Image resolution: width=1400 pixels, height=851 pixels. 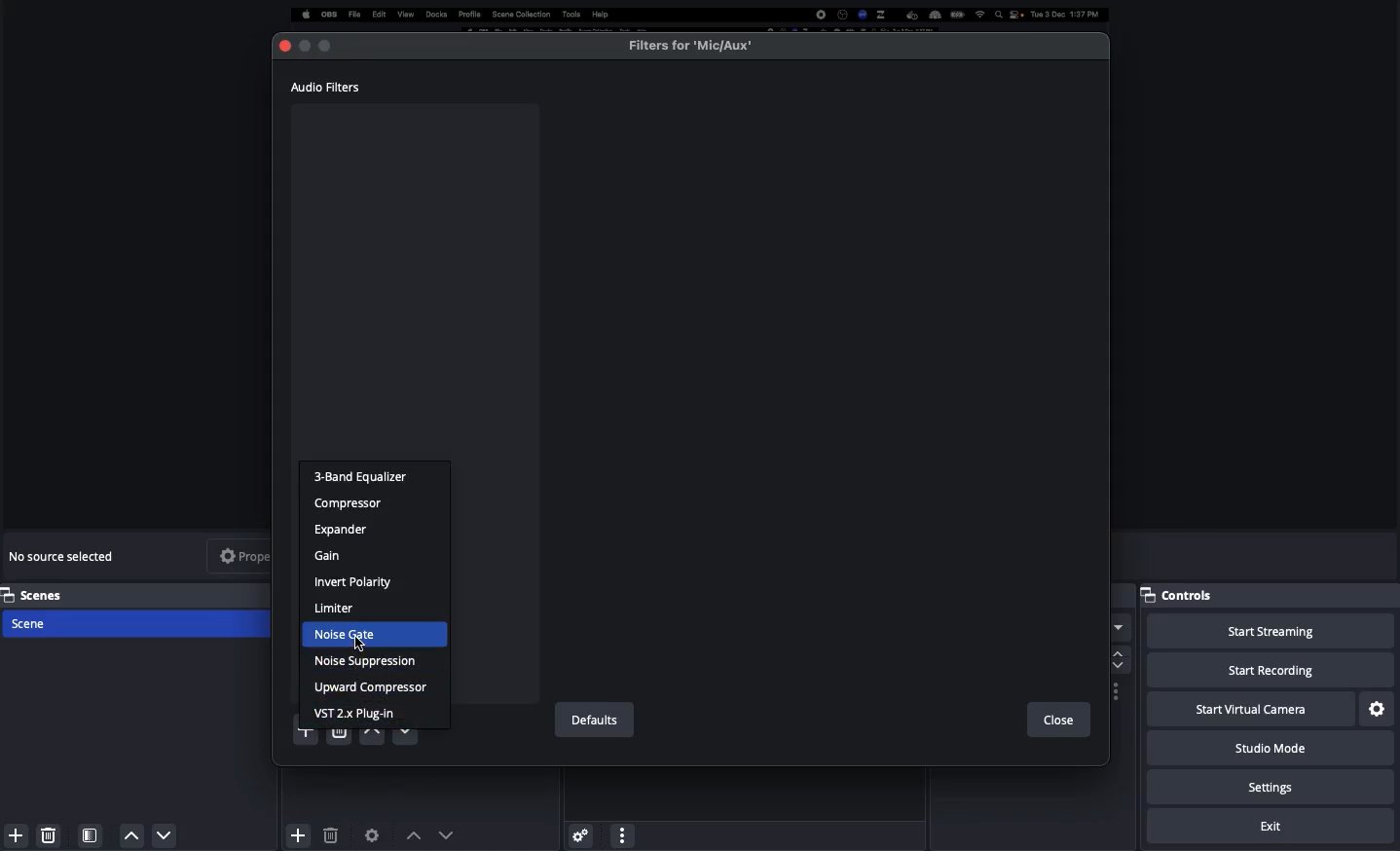 What do you see at coordinates (91, 832) in the screenshot?
I see `Scene filters` at bounding box center [91, 832].